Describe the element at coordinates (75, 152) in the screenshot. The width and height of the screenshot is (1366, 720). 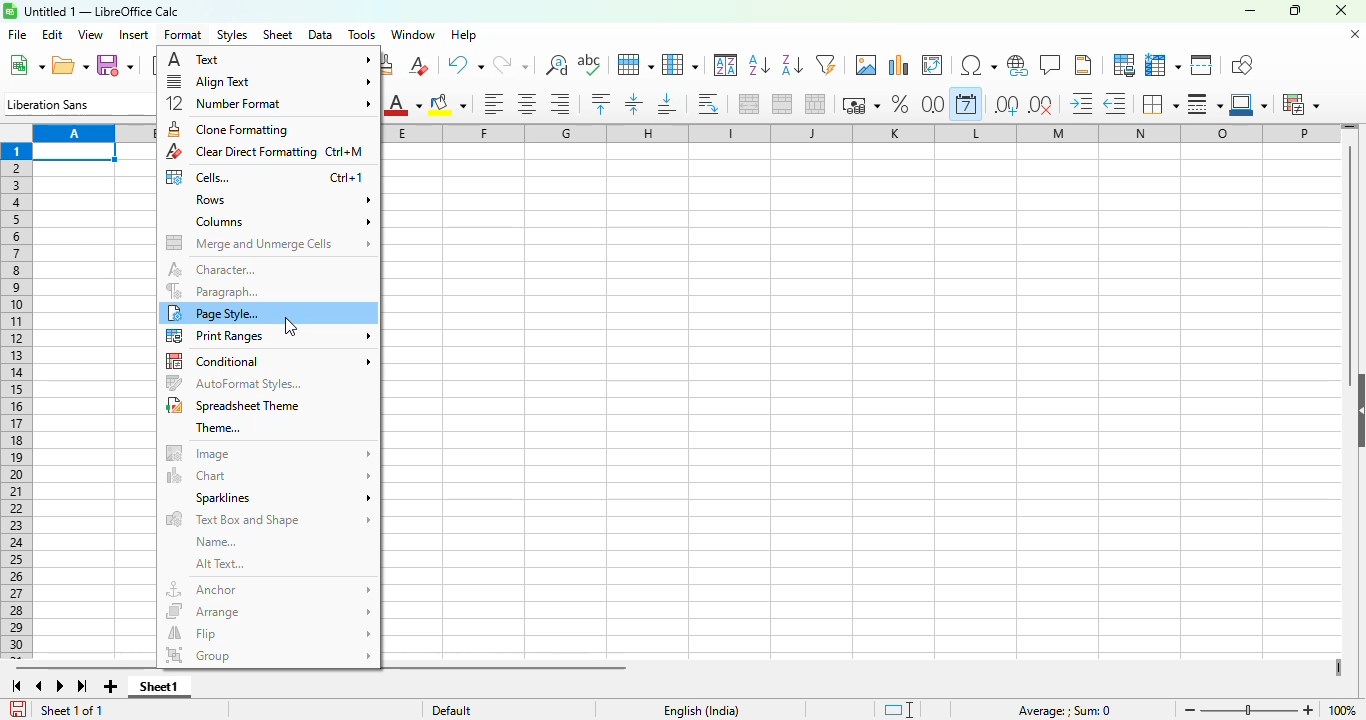
I see `active cell` at that location.